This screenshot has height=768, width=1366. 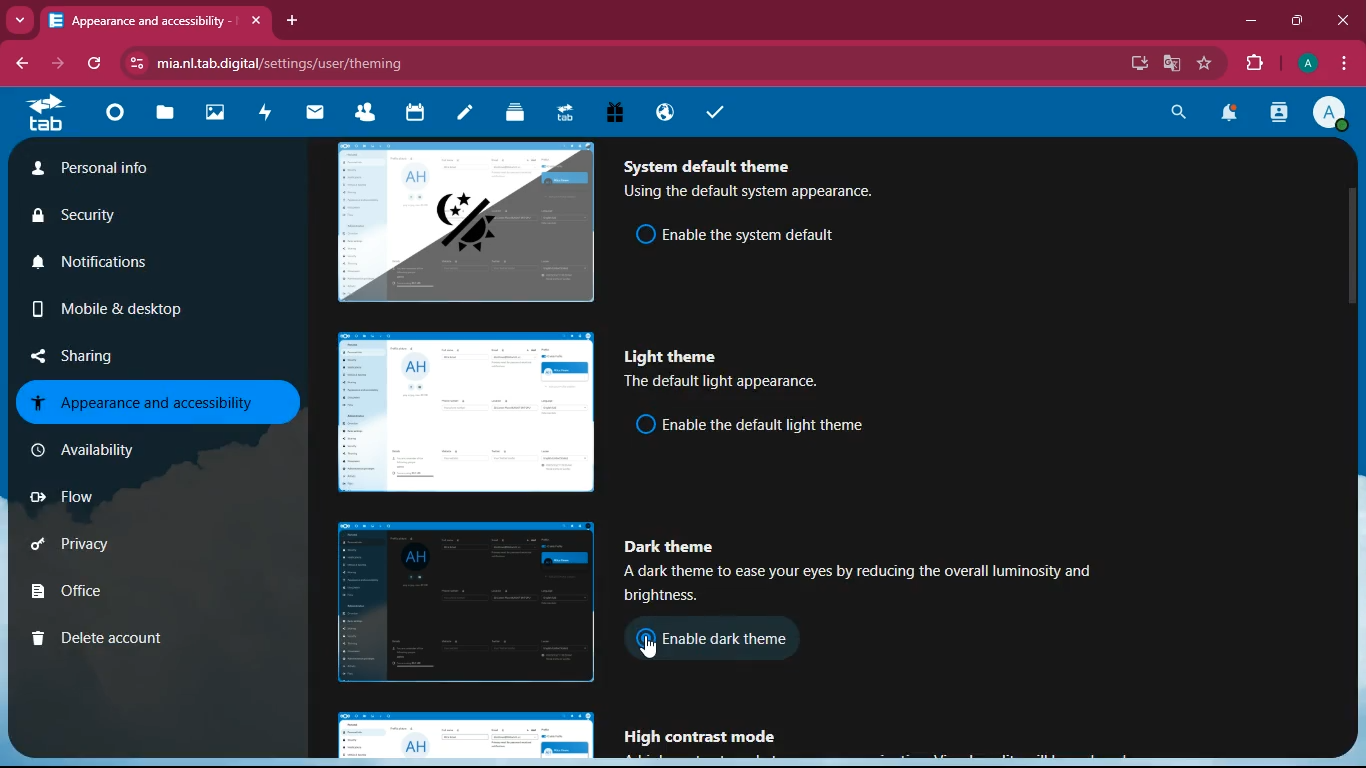 I want to click on personal info, so click(x=124, y=172).